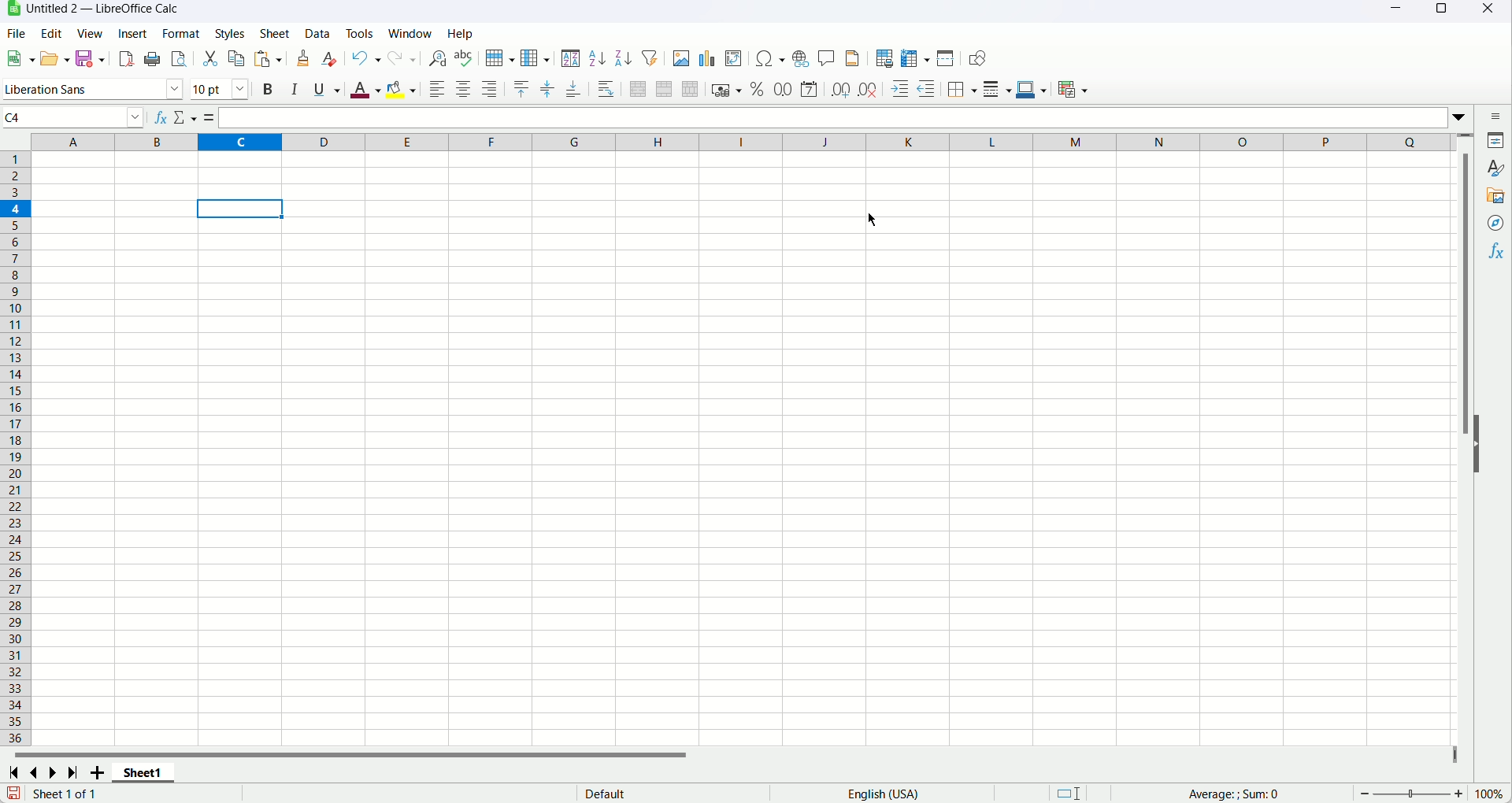 The height and width of the screenshot is (803, 1512). I want to click on Format as number, so click(783, 88).